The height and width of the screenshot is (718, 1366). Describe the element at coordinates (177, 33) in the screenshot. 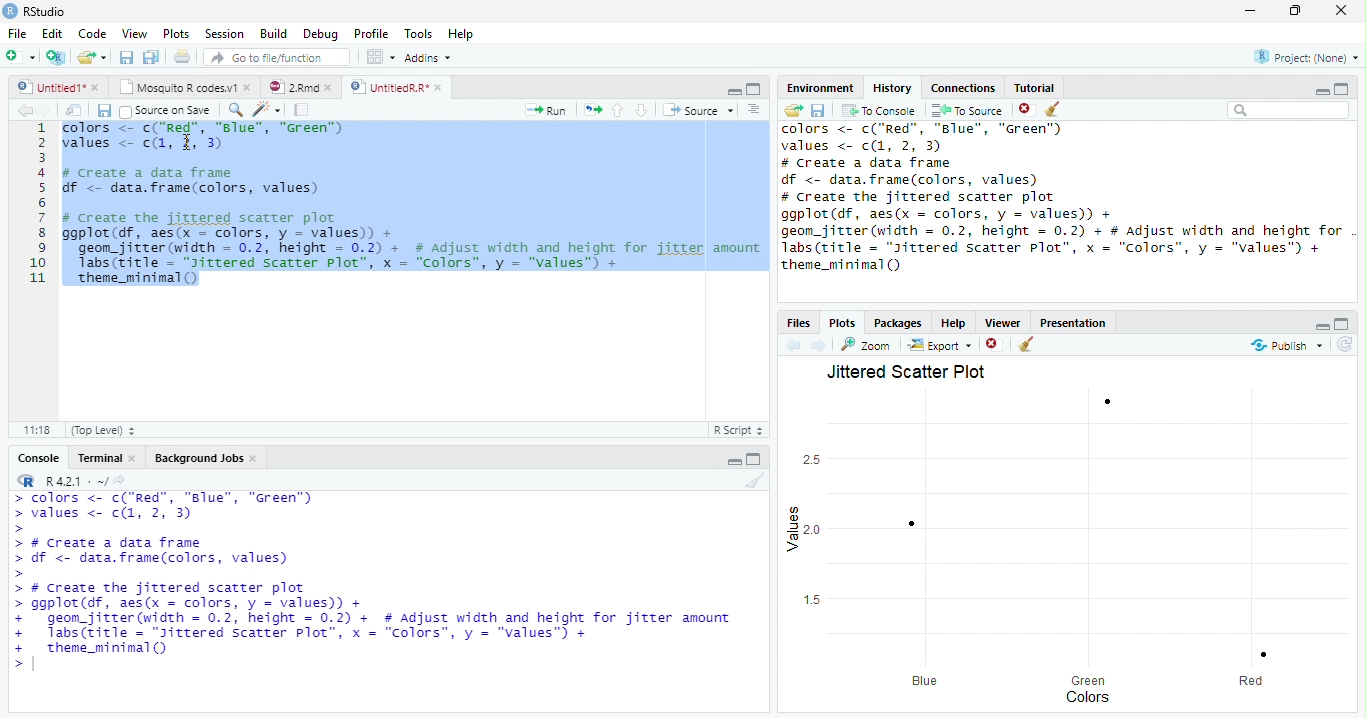

I see `Plots` at that location.